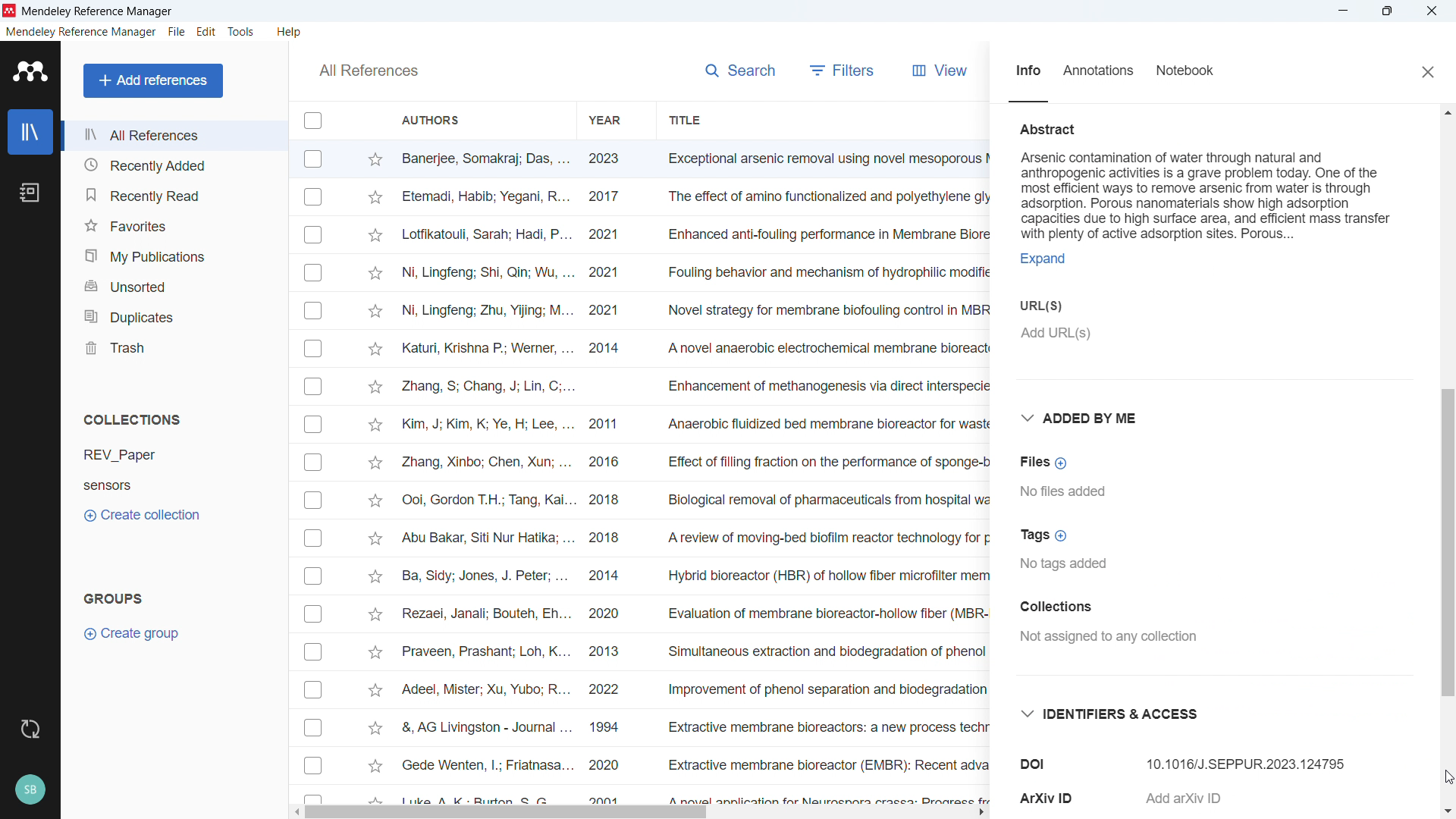  I want to click on click to select individual entry, so click(315, 728).